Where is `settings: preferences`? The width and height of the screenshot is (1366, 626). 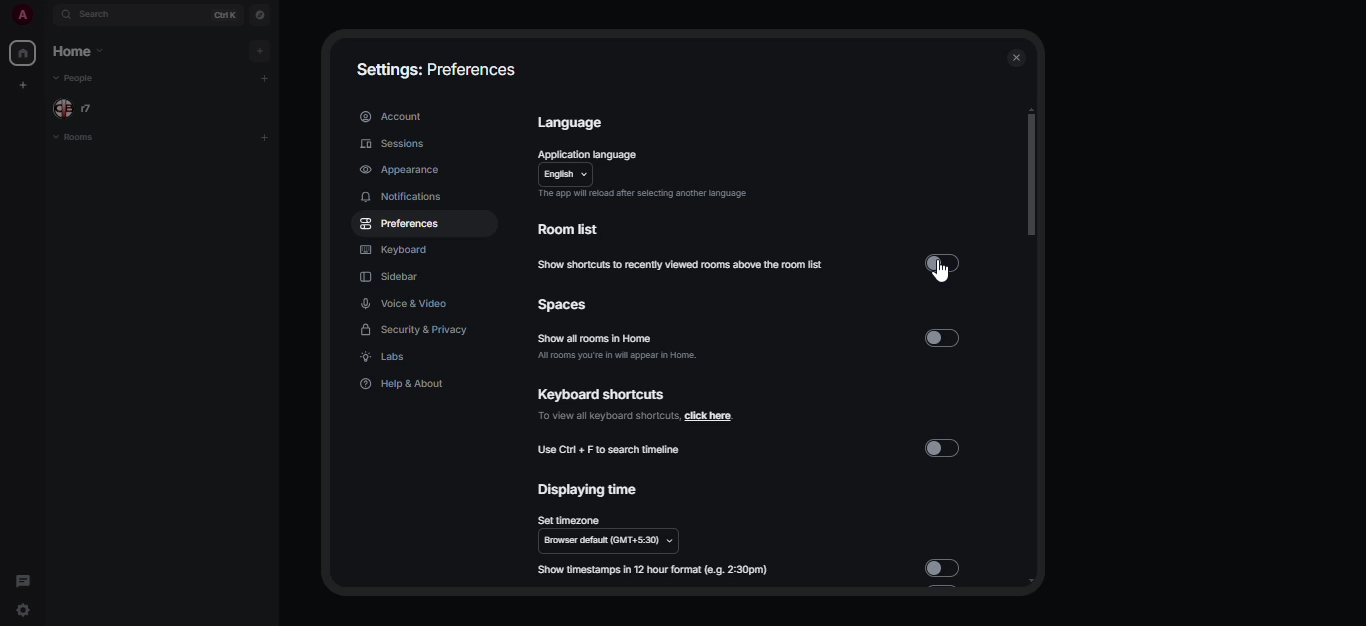 settings: preferences is located at coordinates (435, 69).